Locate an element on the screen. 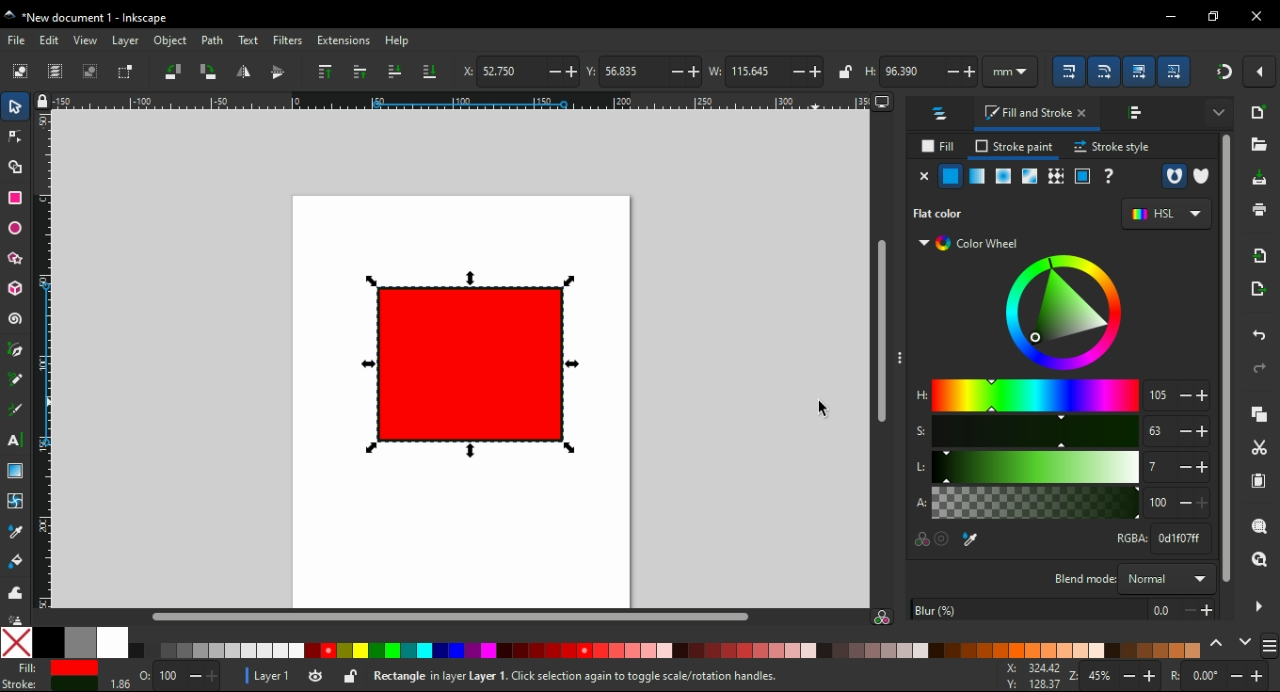 The image size is (1280, 692). layers and objects is located at coordinates (943, 113).